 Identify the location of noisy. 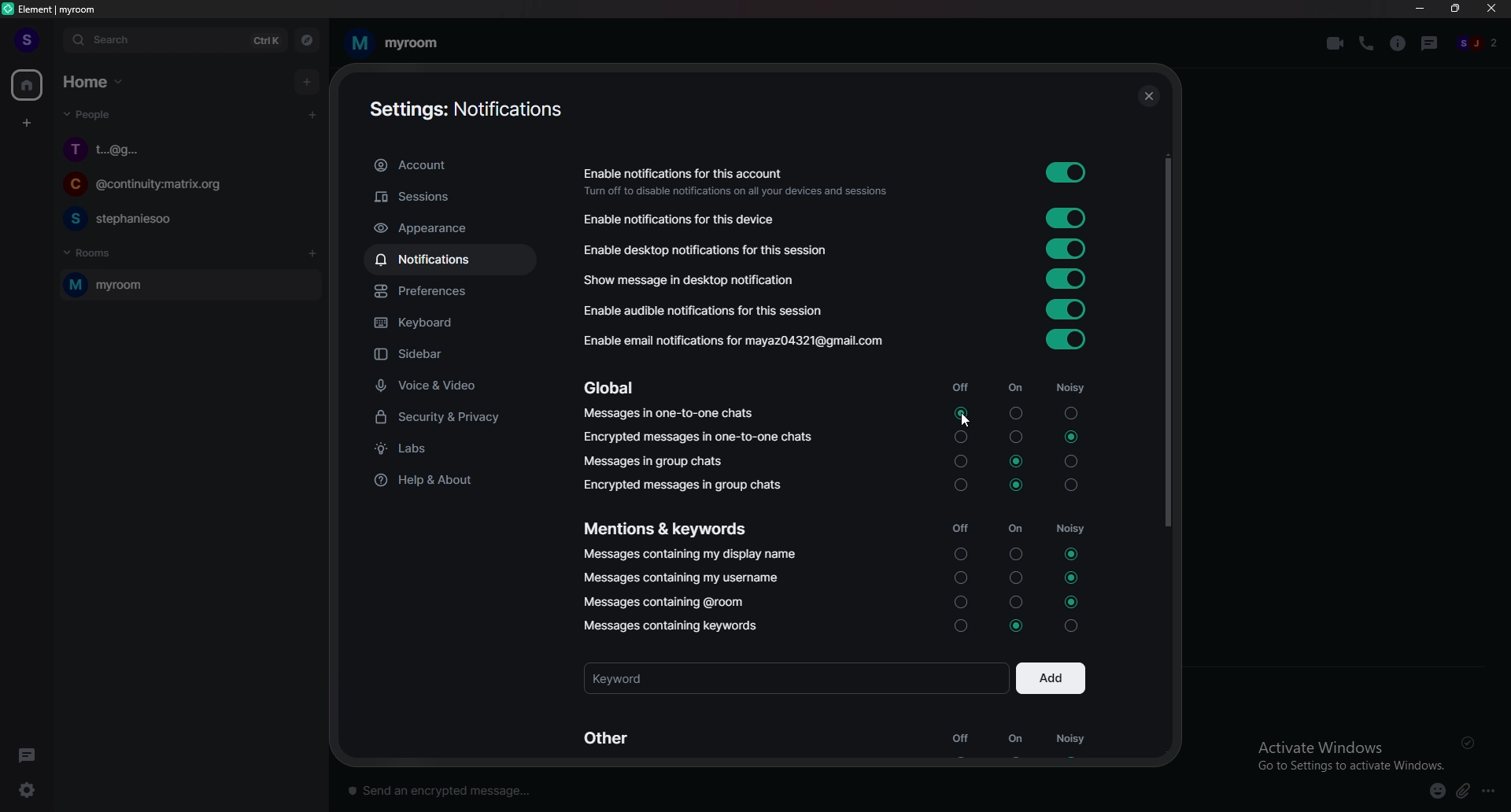
(1072, 740).